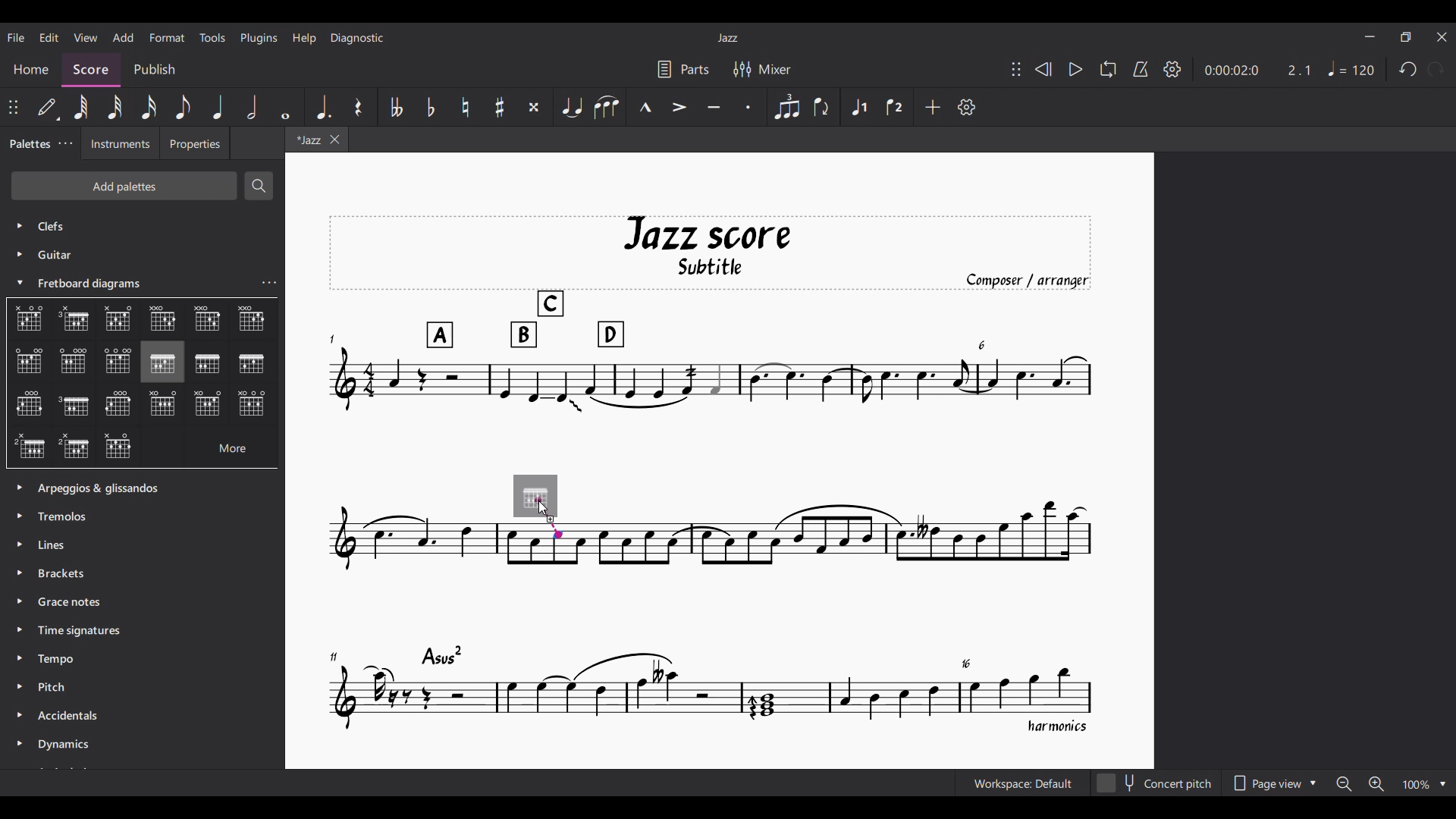 The height and width of the screenshot is (819, 1456). Describe the element at coordinates (73, 717) in the screenshot. I see `Accidentals` at that location.